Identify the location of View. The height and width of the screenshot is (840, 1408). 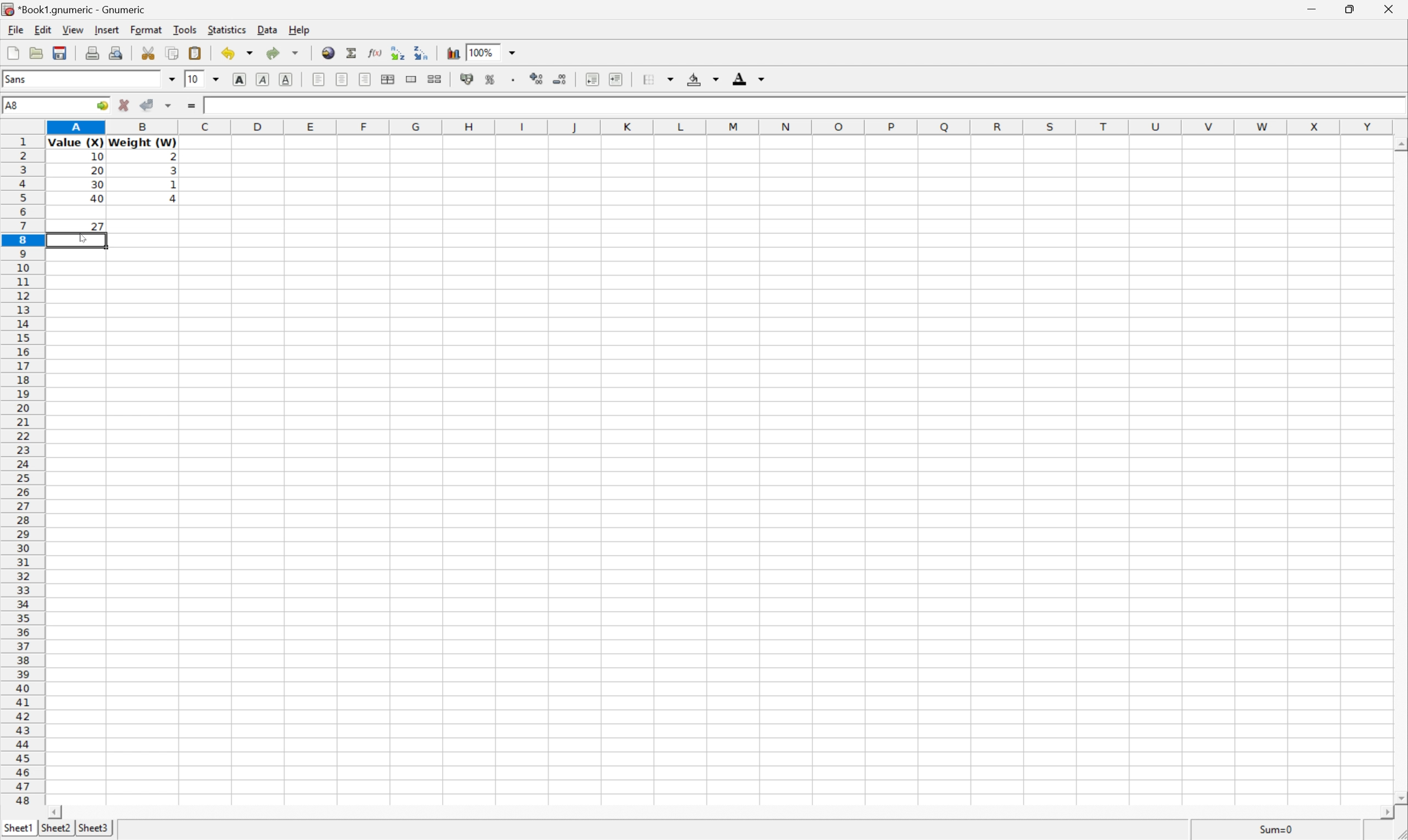
(75, 30).